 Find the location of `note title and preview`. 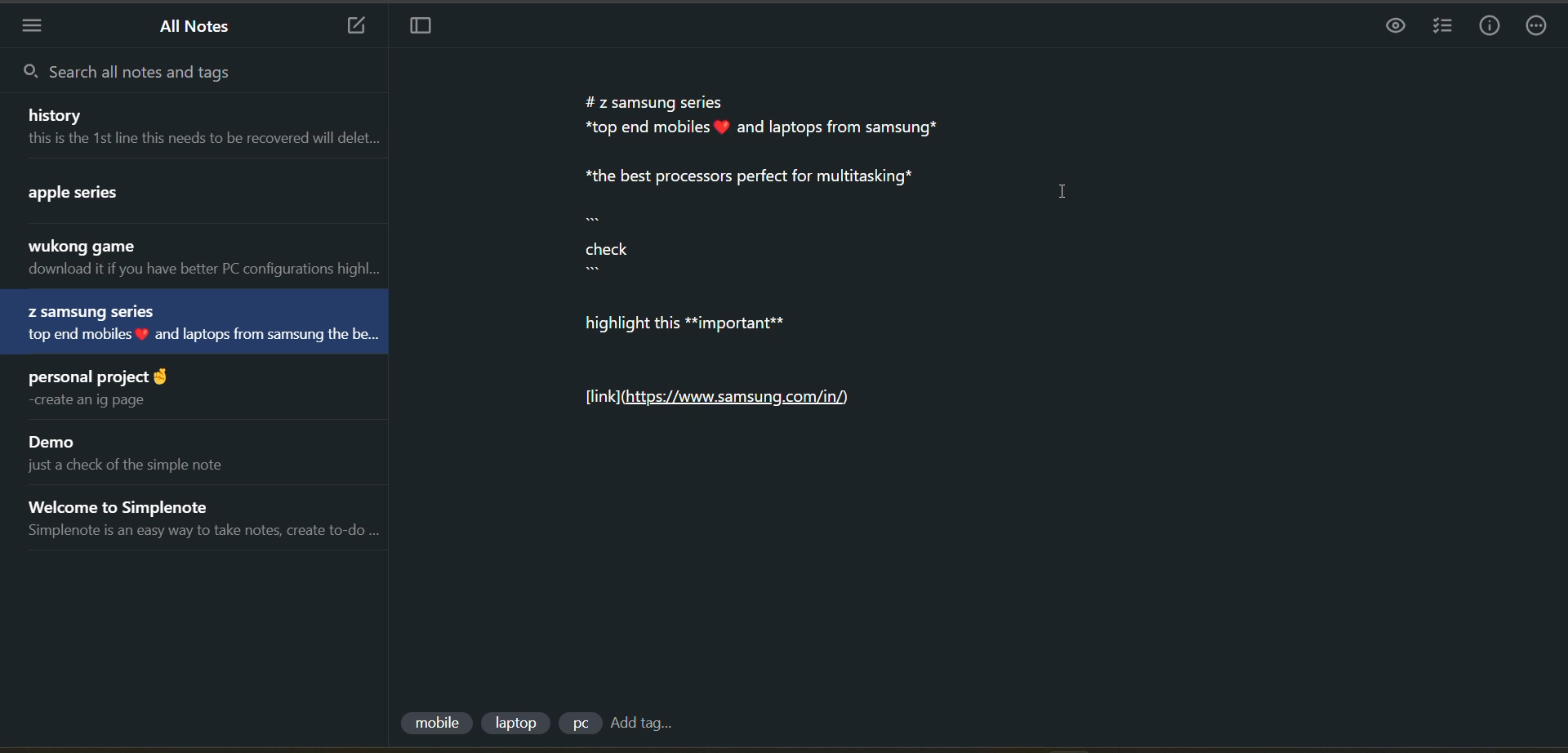

note title and preview is located at coordinates (205, 259).